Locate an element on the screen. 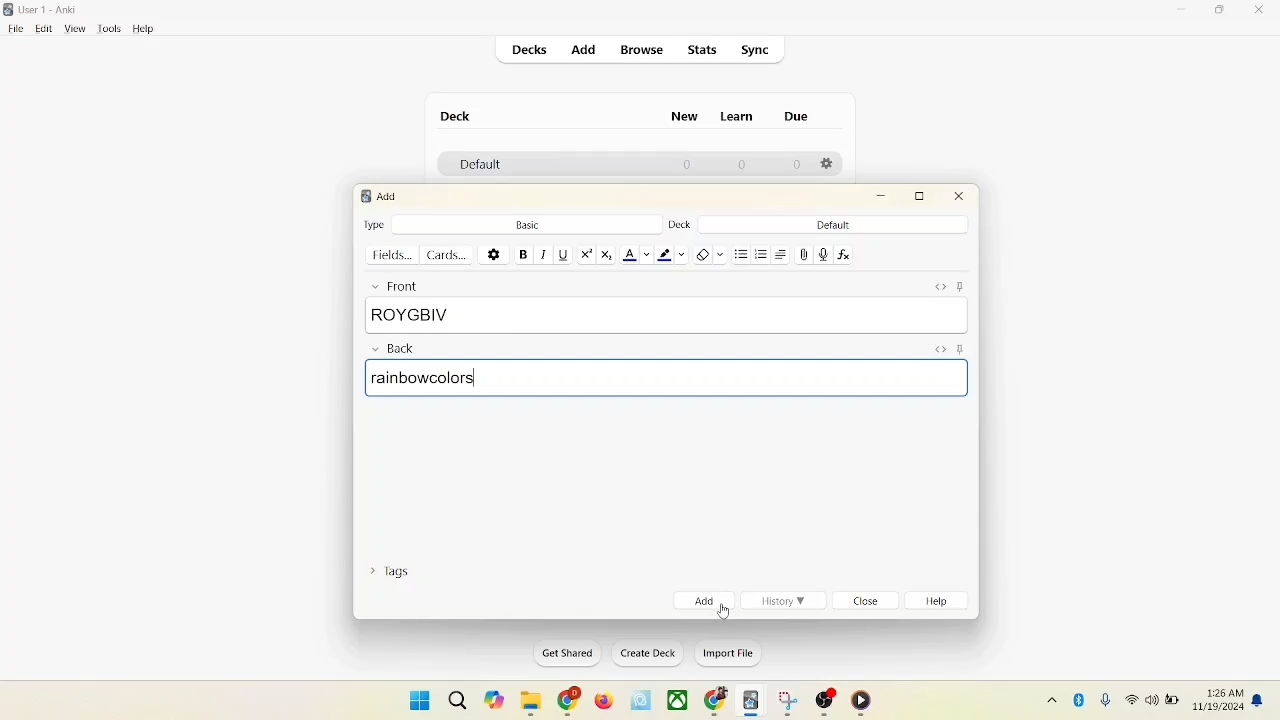  time is located at coordinates (1221, 690).